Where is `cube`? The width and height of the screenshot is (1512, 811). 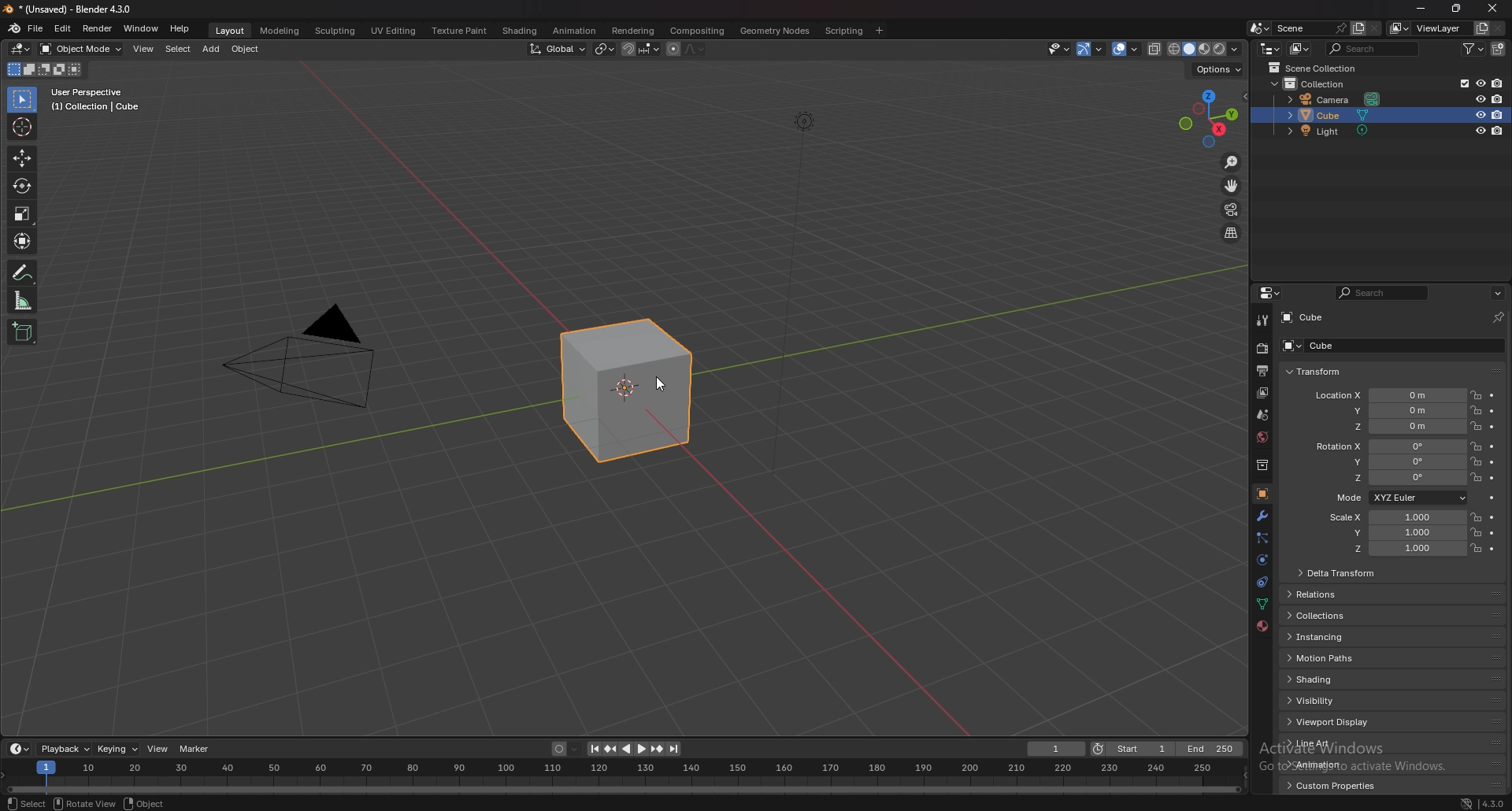 cube is located at coordinates (1333, 114).